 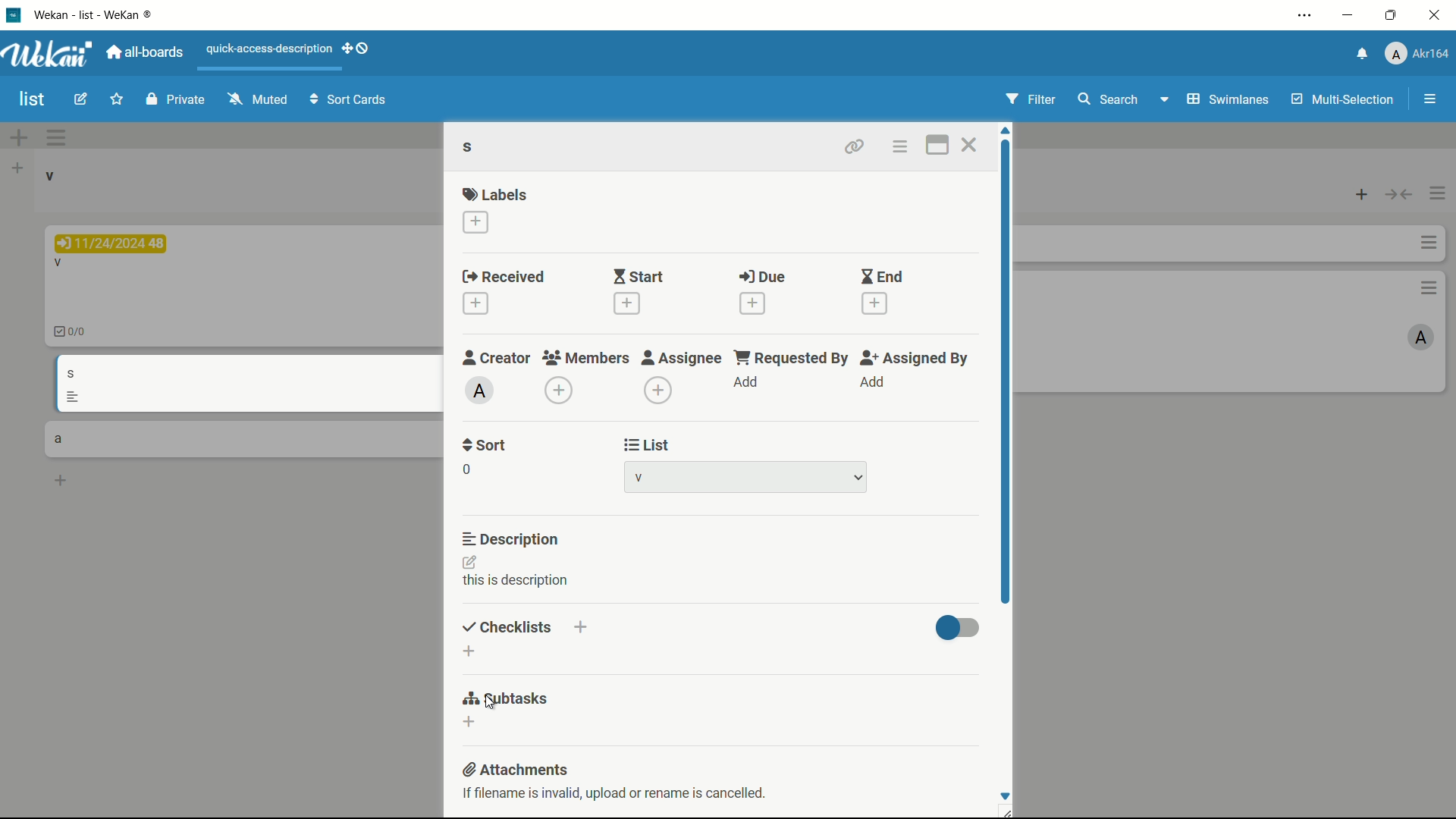 What do you see at coordinates (500, 701) in the screenshot?
I see `subtasks` at bounding box center [500, 701].